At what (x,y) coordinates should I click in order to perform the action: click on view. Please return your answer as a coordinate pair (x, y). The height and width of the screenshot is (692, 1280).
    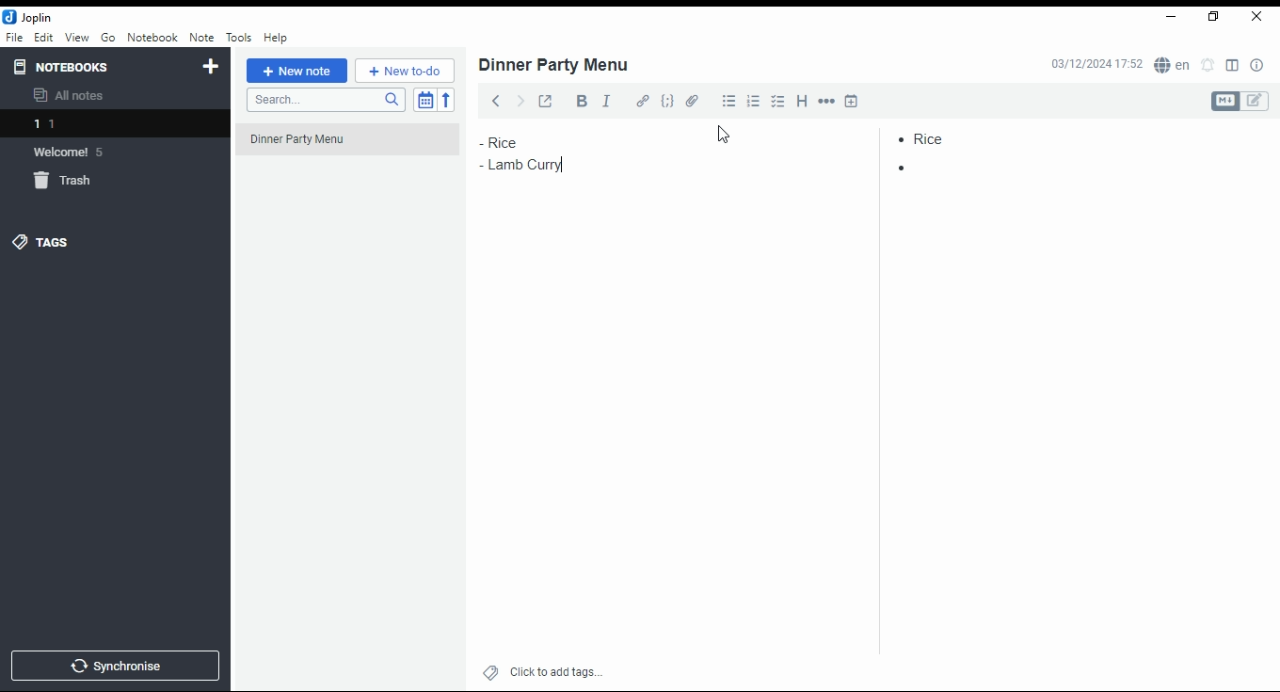
    Looking at the image, I should click on (76, 38).